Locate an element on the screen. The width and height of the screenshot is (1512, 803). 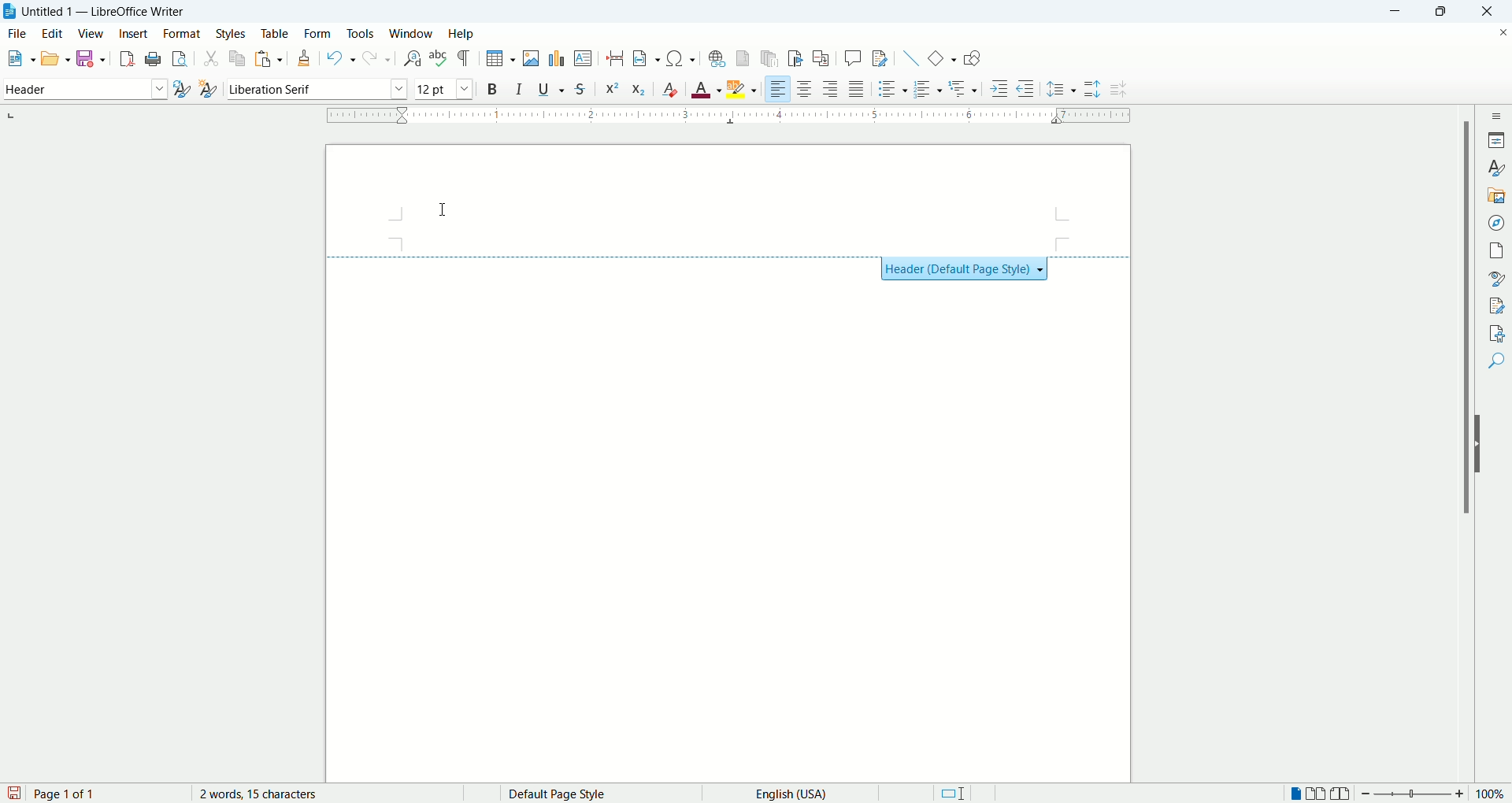
new style is located at coordinates (209, 91).